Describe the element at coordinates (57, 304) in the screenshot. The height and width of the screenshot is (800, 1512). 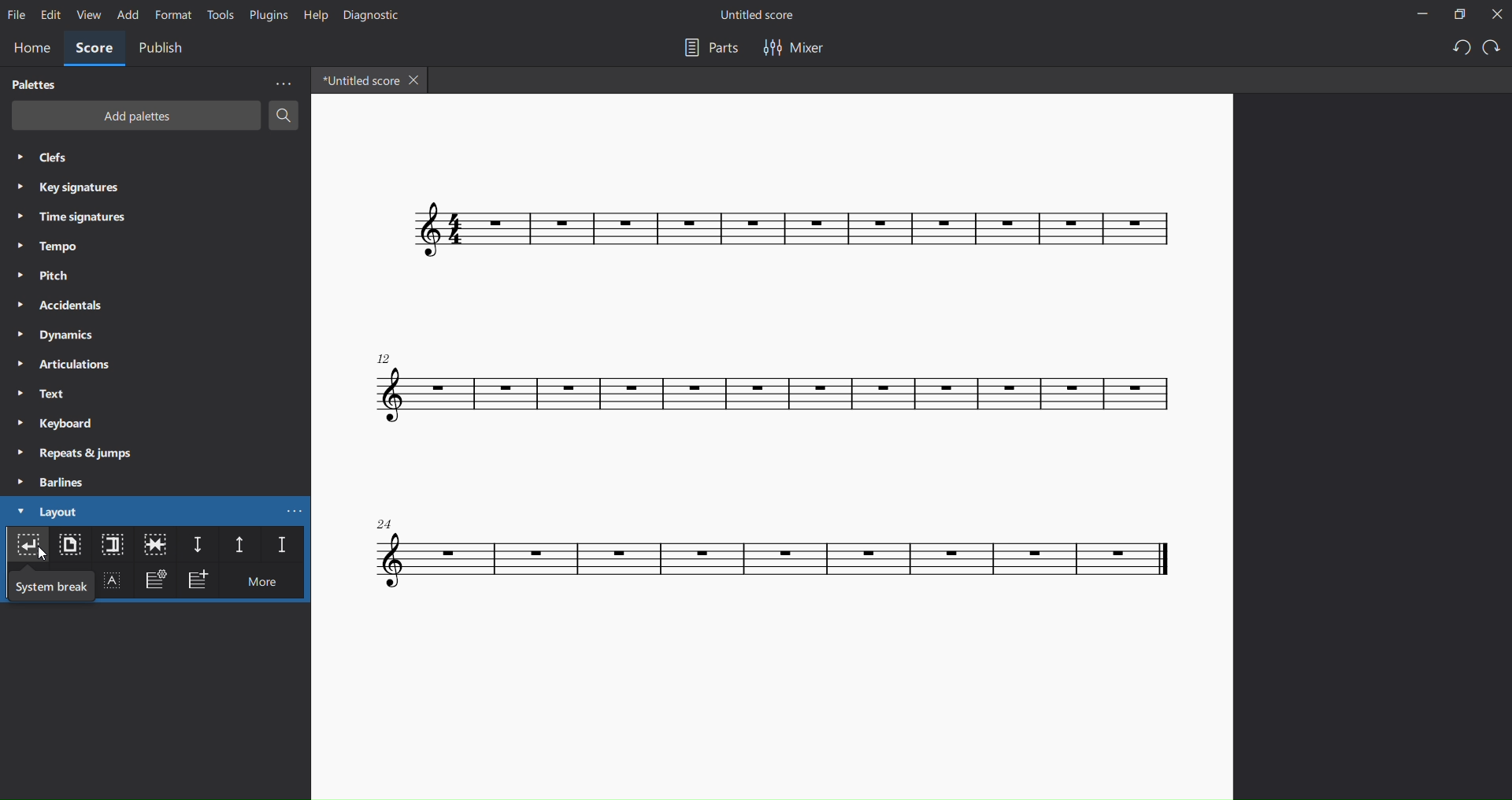
I see `accidentals` at that location.